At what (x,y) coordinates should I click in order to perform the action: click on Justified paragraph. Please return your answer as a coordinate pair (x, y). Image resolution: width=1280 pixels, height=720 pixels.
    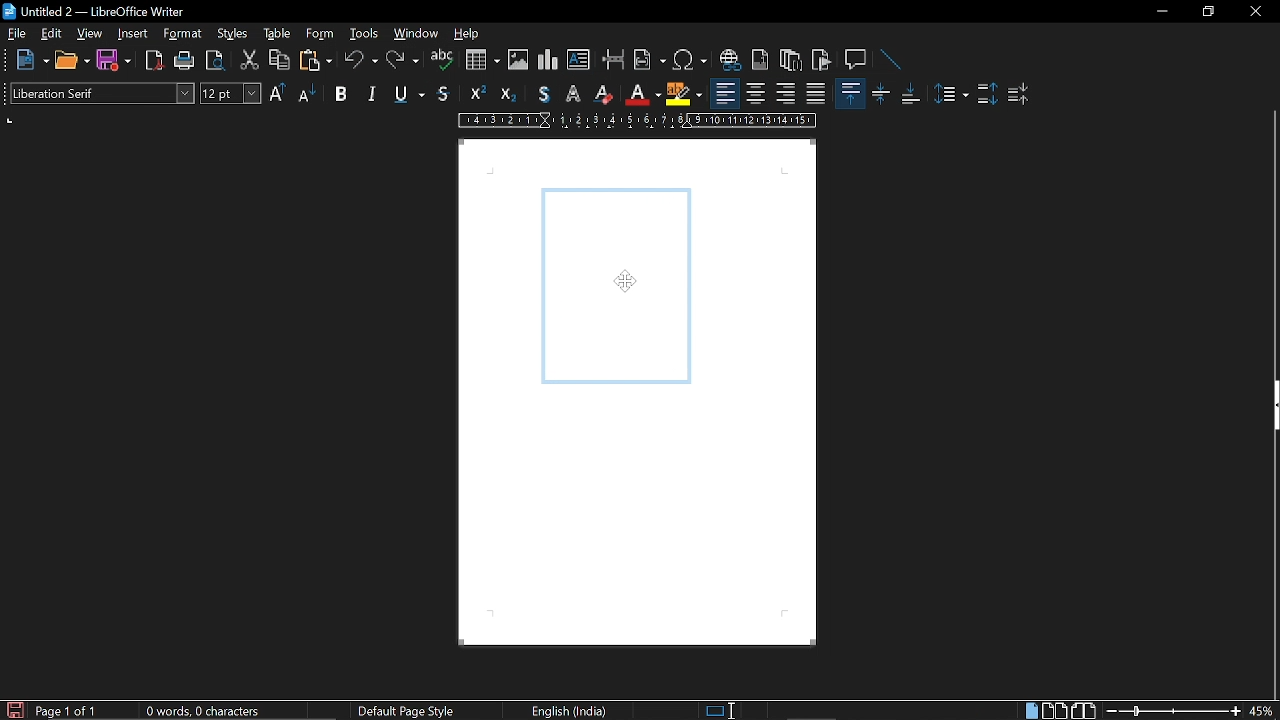
    Looking at the image, I should click on (953, 95).